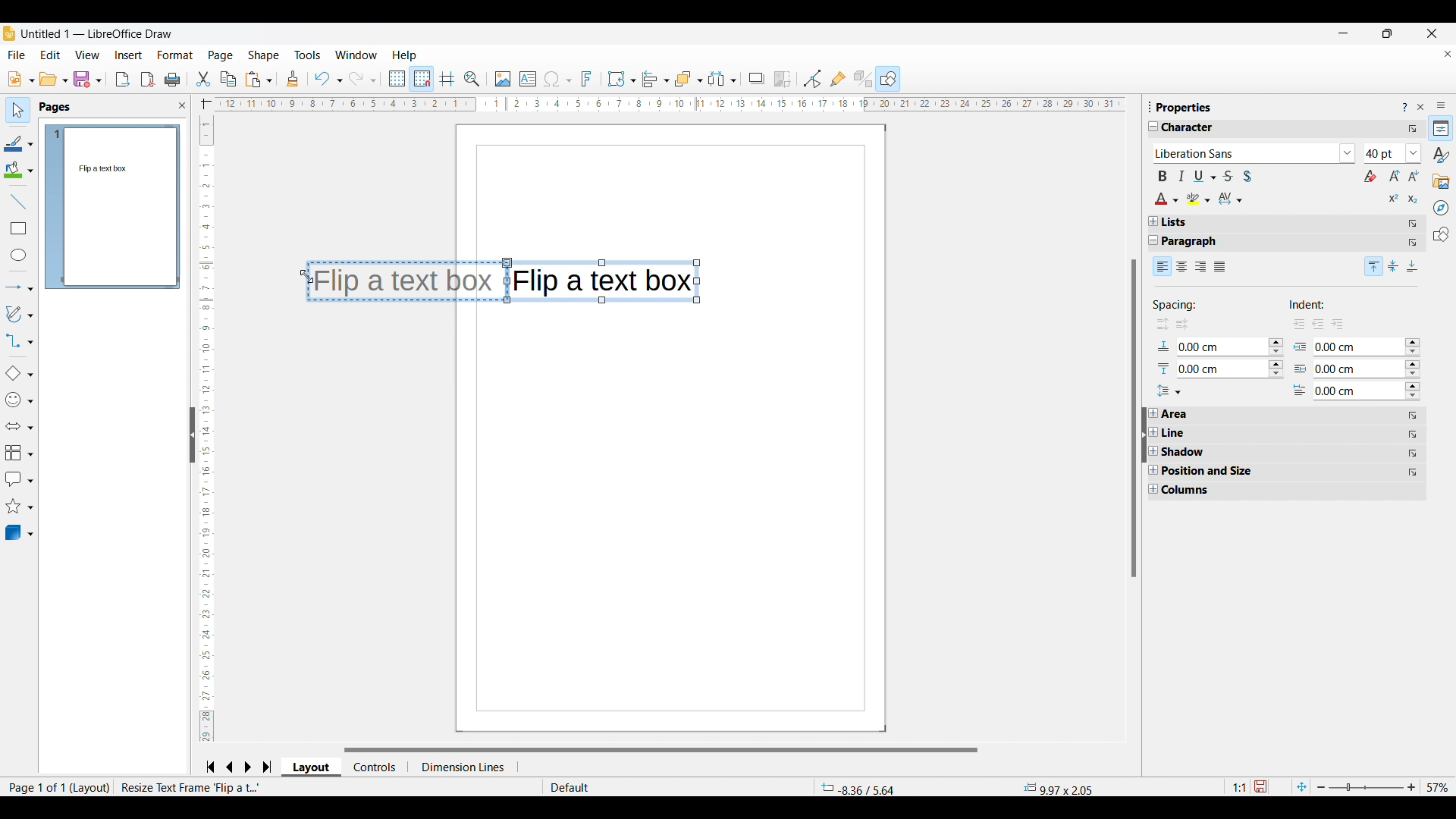  Describe the element at coordinates (1352, 391) in the screenshot. I see `0.00 cm` at that location.